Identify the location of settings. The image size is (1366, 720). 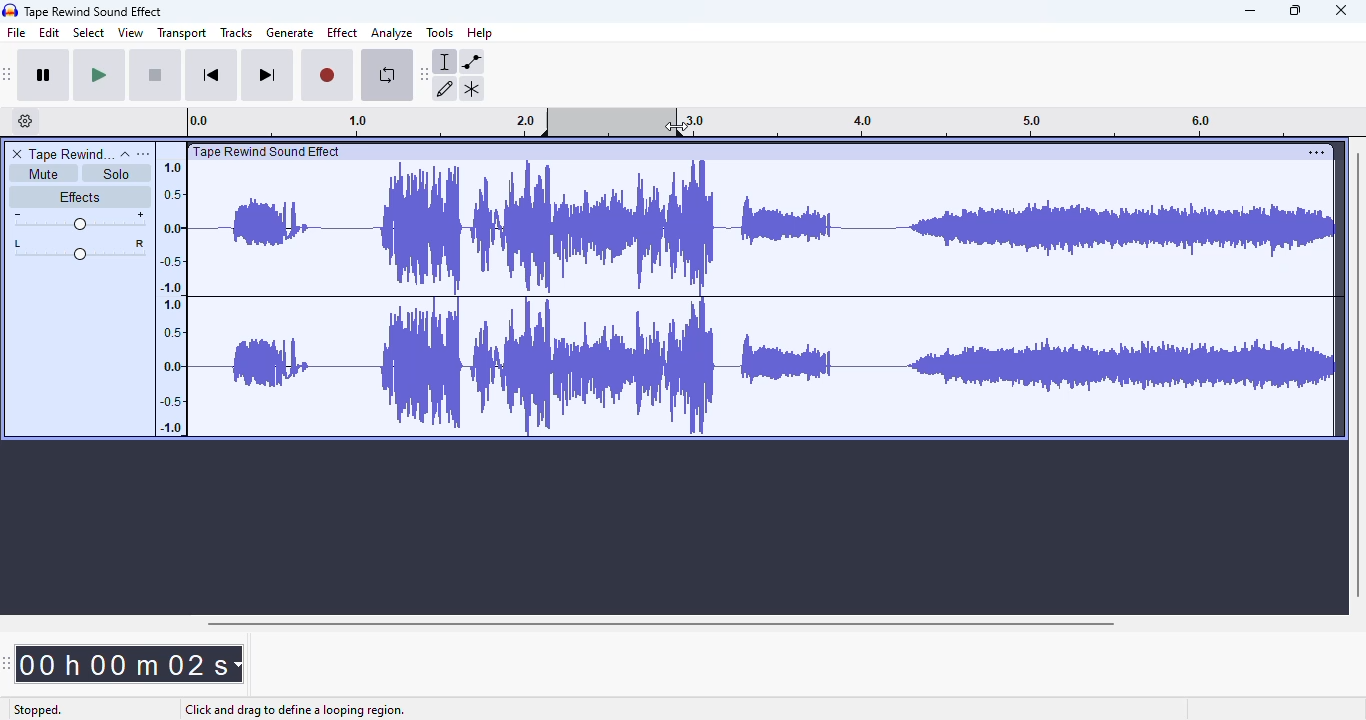
(1316, 152).